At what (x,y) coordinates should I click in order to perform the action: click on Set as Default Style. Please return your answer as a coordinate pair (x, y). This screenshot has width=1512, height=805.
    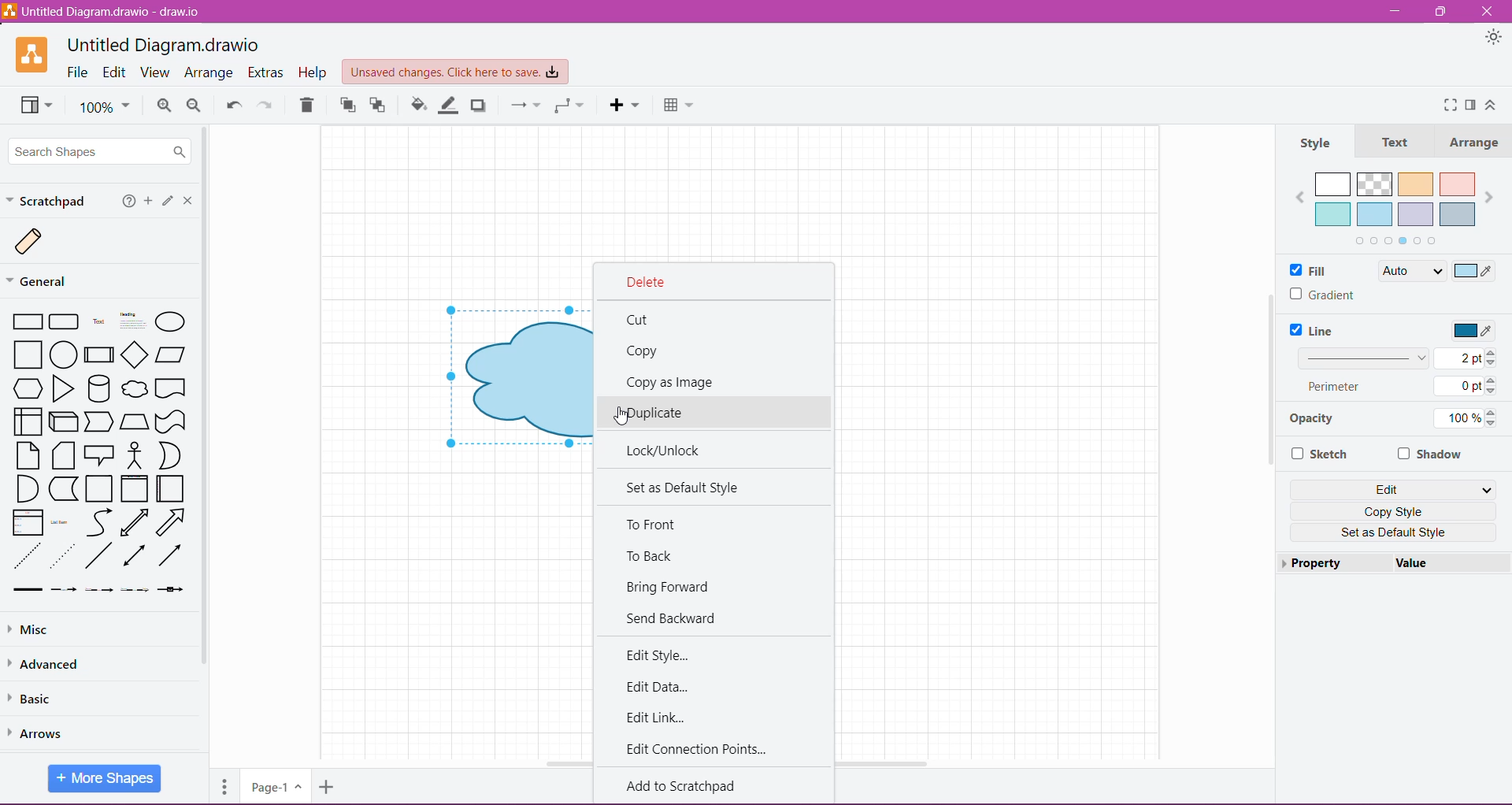
    Looking at the image, I should click on (695, 488).